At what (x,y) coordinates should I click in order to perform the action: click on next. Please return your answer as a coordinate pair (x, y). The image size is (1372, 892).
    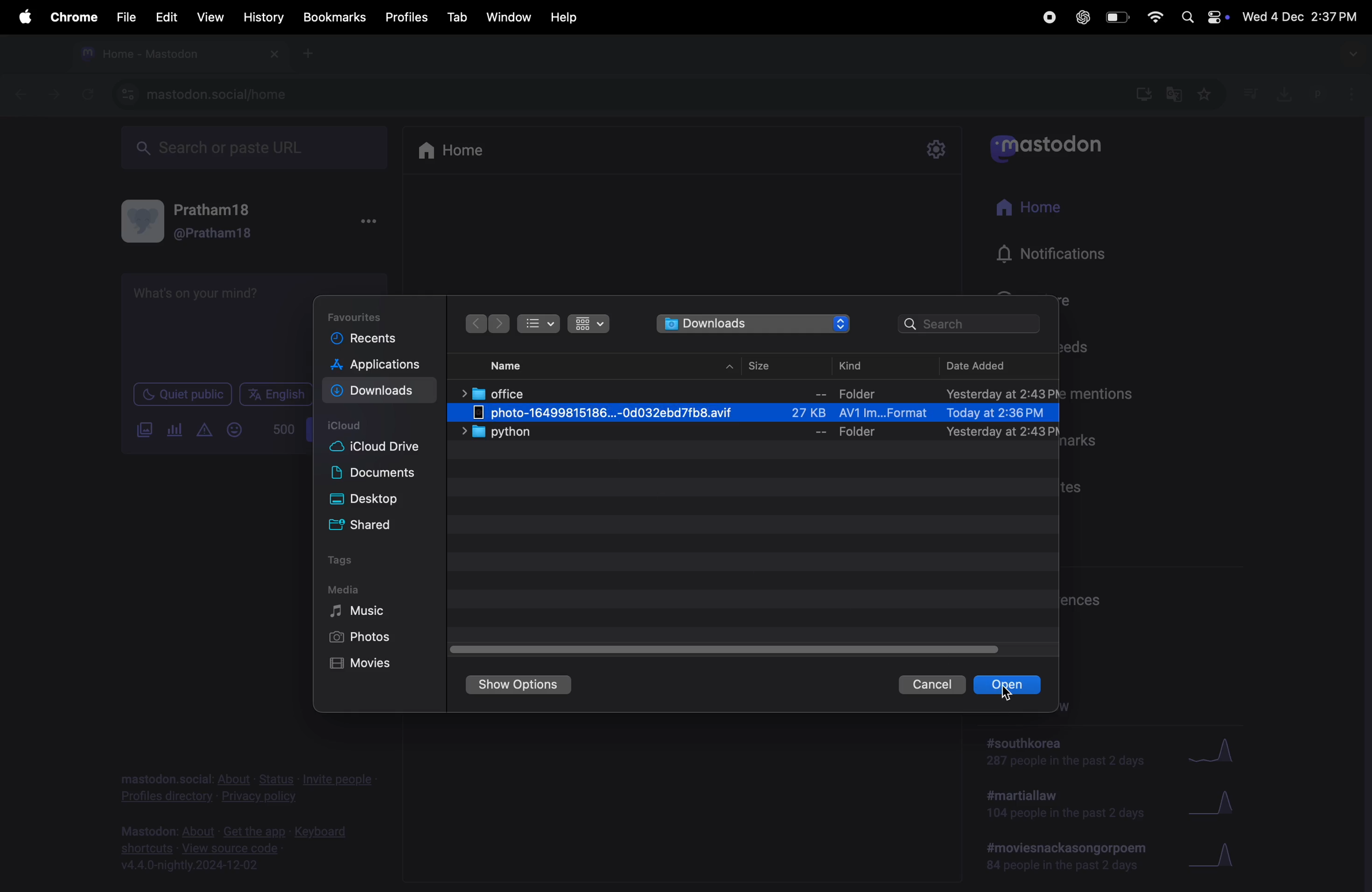
    Looking at the image, I should click on (499, 324).